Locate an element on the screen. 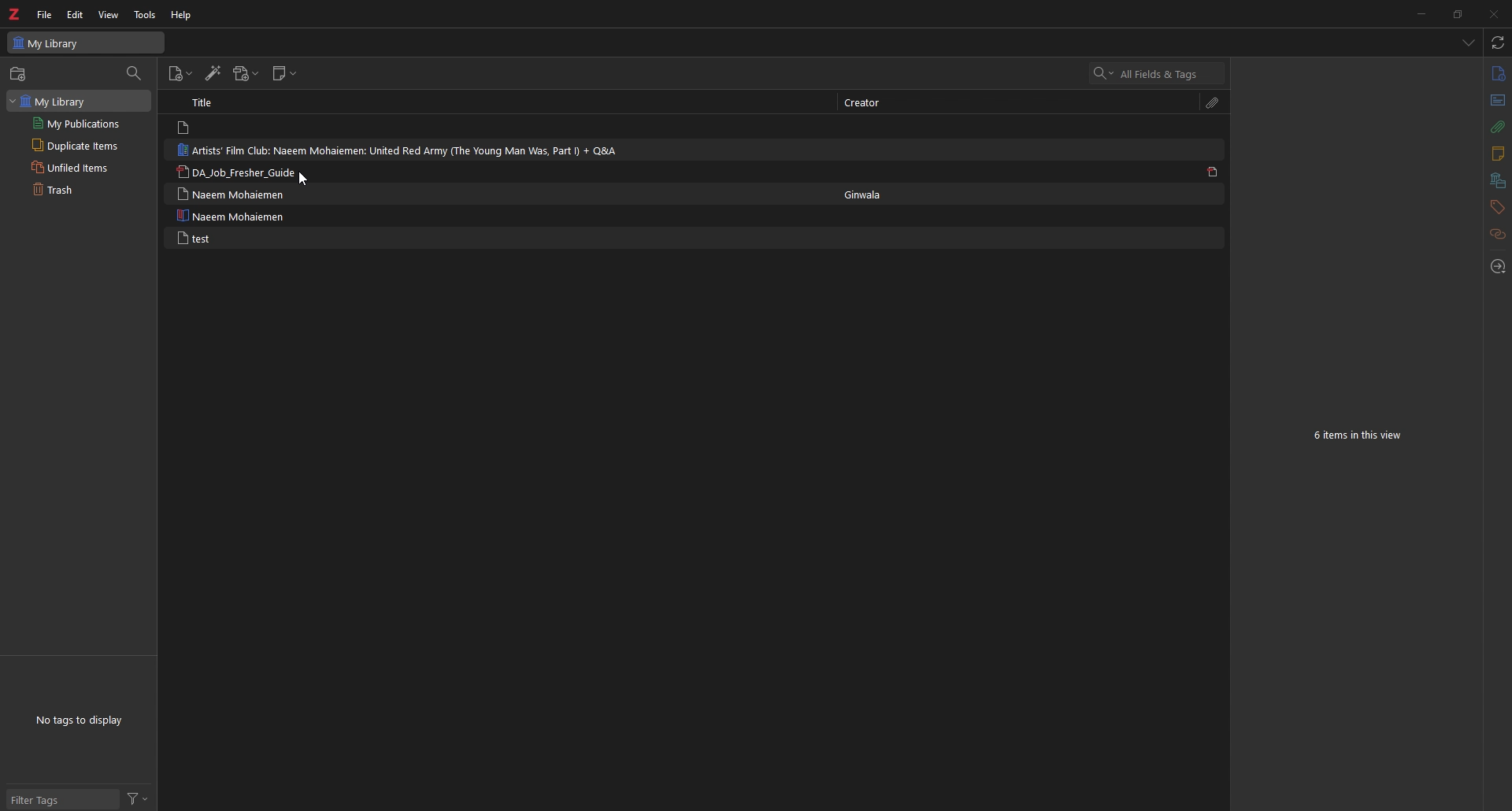 The image size is (1512, 811). locate is located at coordinates (1495, 267).